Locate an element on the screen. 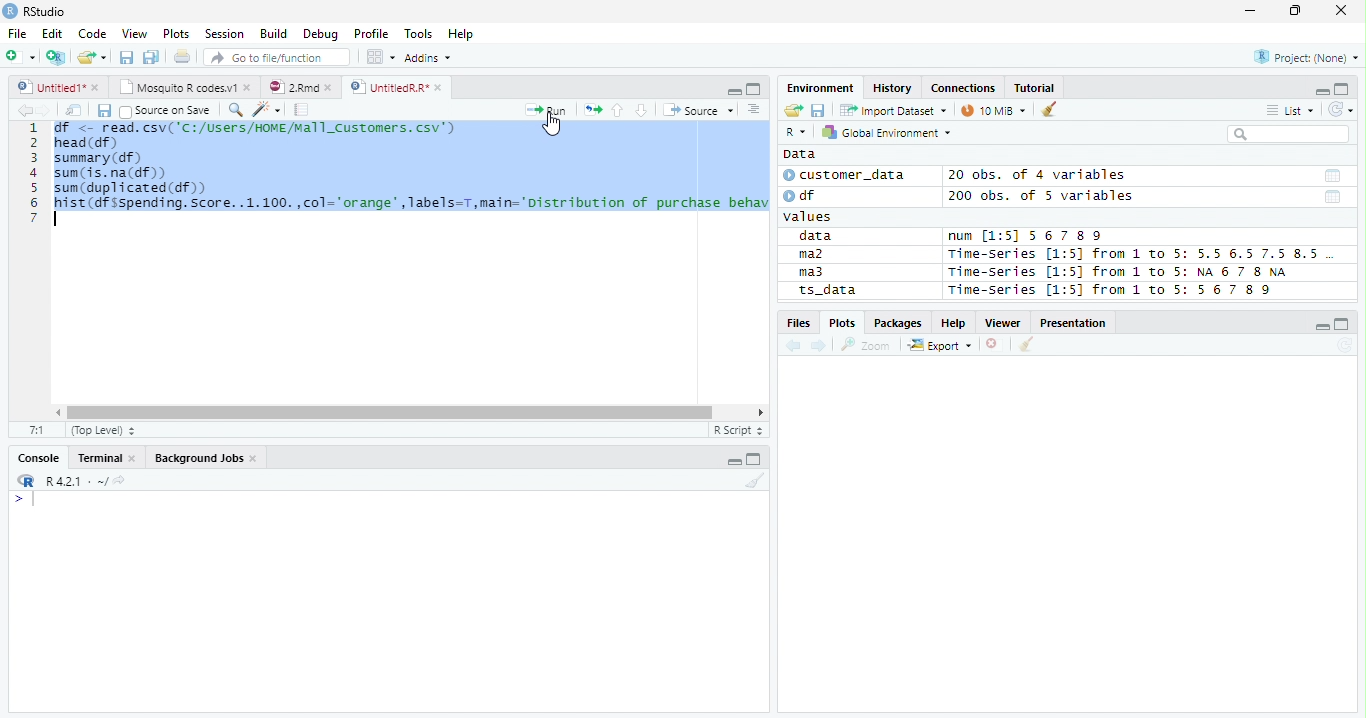 The height and width of the screenshot is (718, 1366). Project (none) is located at coordinates (1309, 55).